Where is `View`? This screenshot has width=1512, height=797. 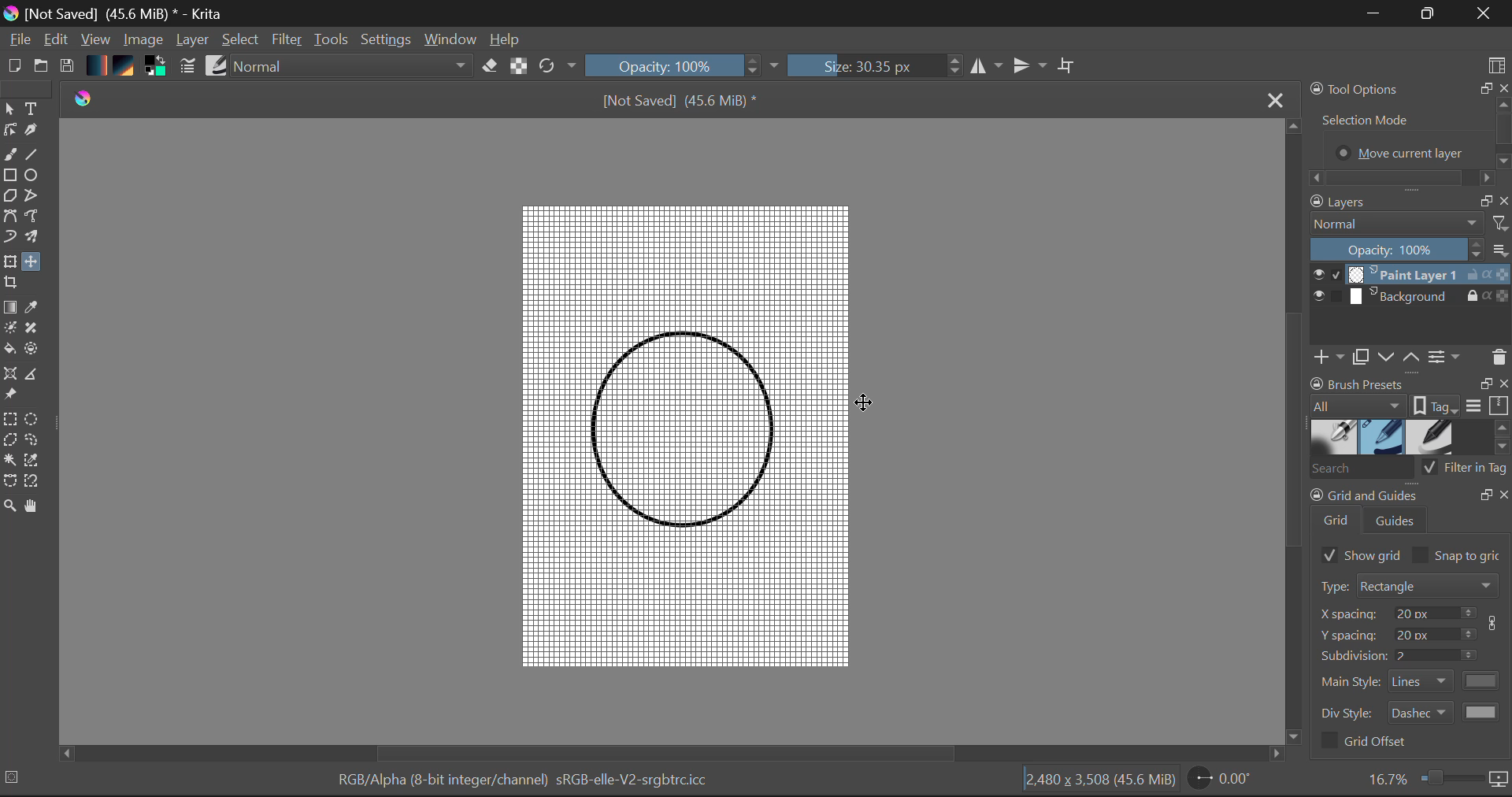
View is located at coordinates (96, 39).